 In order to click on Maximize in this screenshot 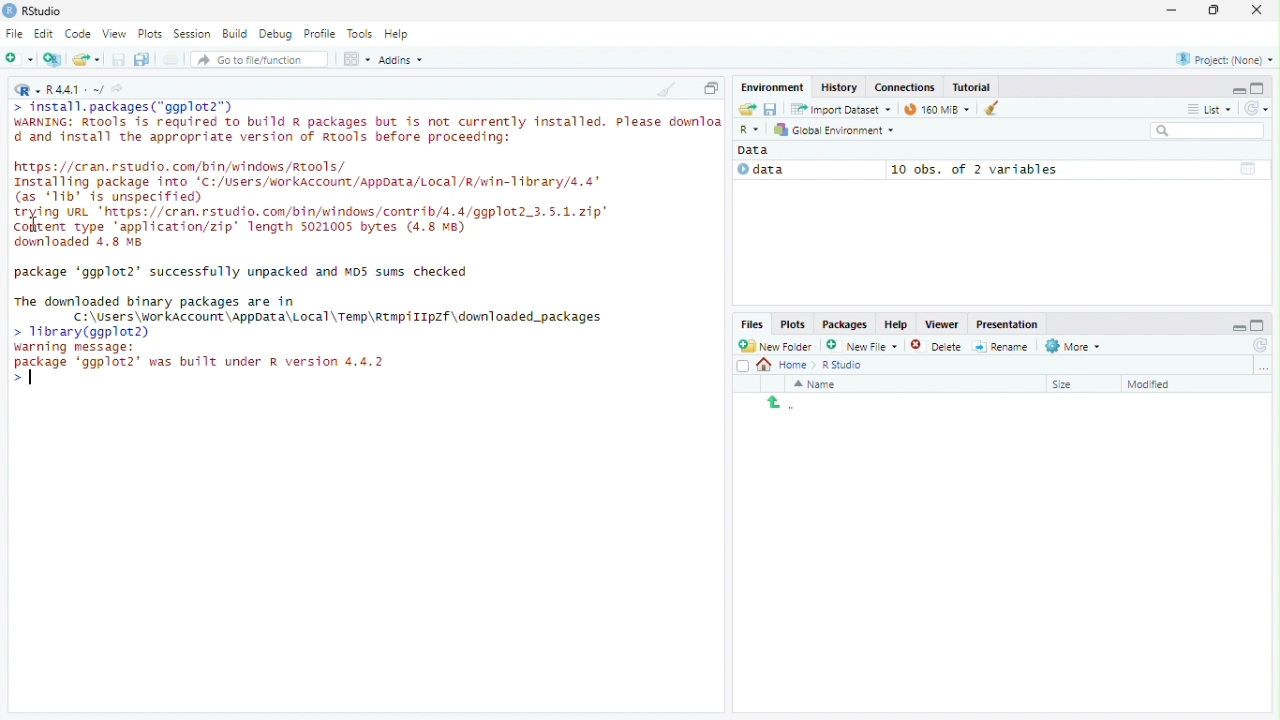, I will do `click(711, 88)`.